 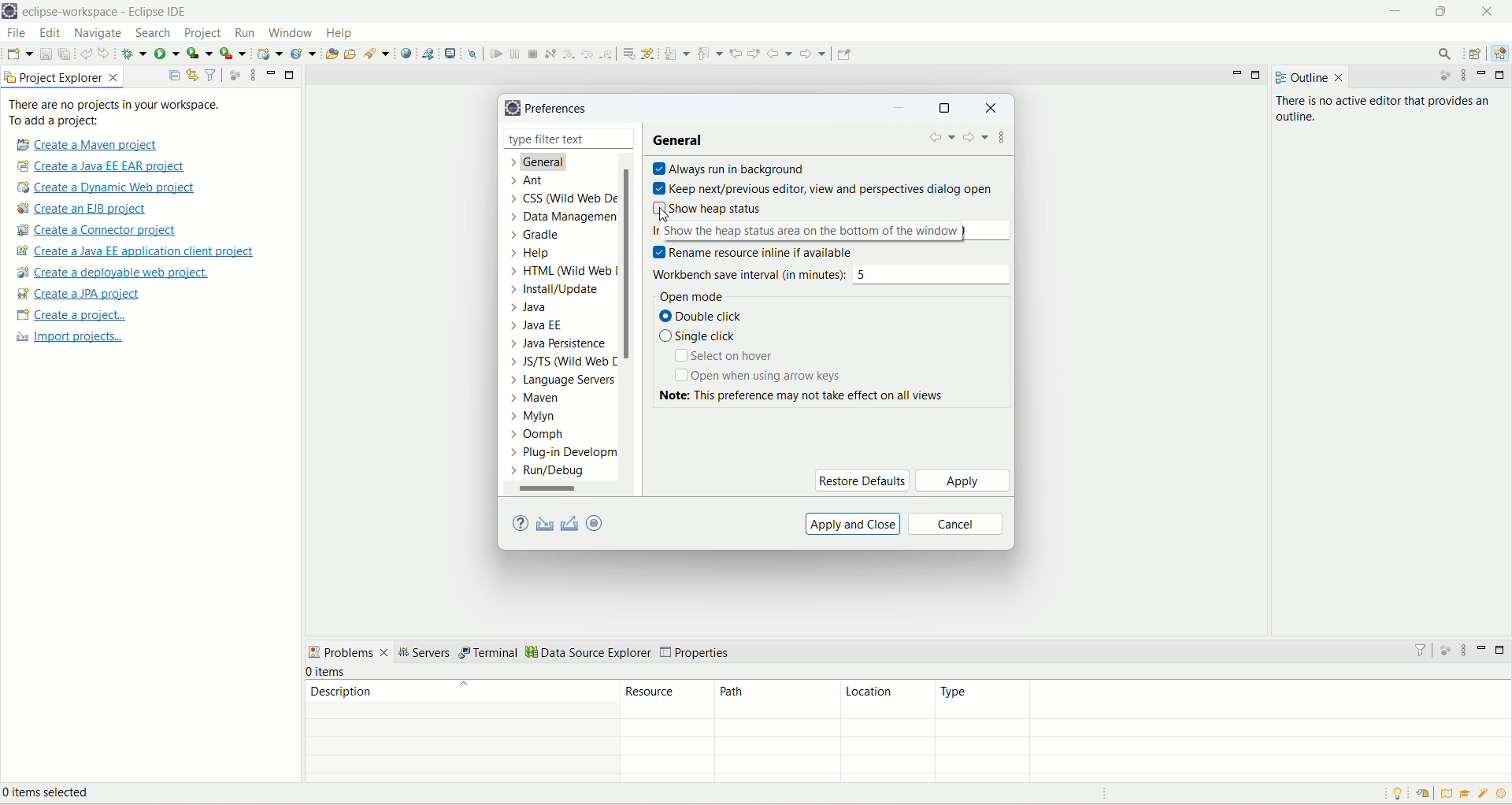 What do you see at coordinates (353, 55) in the screenshot?
I see `open task` at bounding box center [353, 55].